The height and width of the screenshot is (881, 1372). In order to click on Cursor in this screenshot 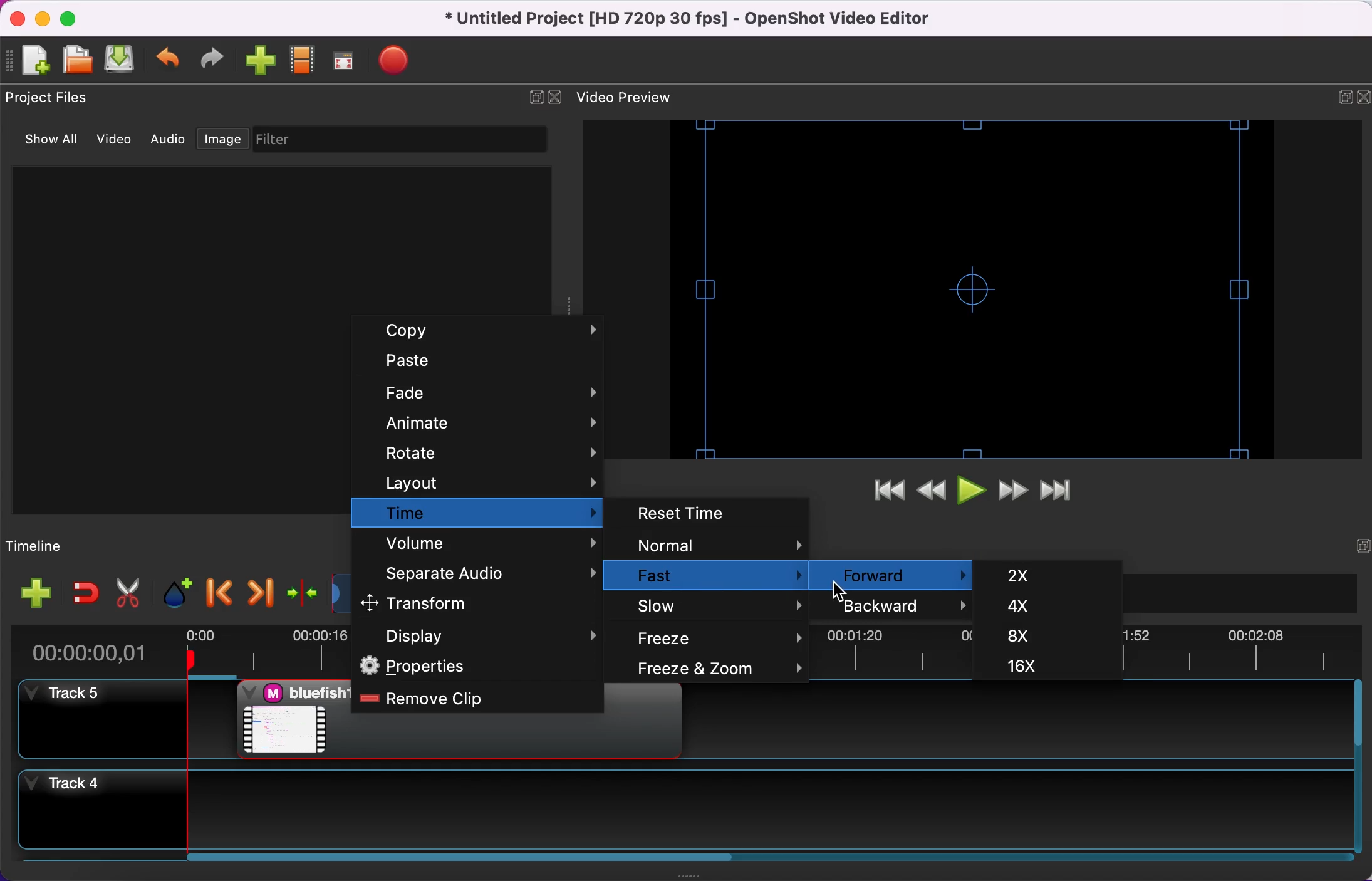, I will do `click(843, 589)`.